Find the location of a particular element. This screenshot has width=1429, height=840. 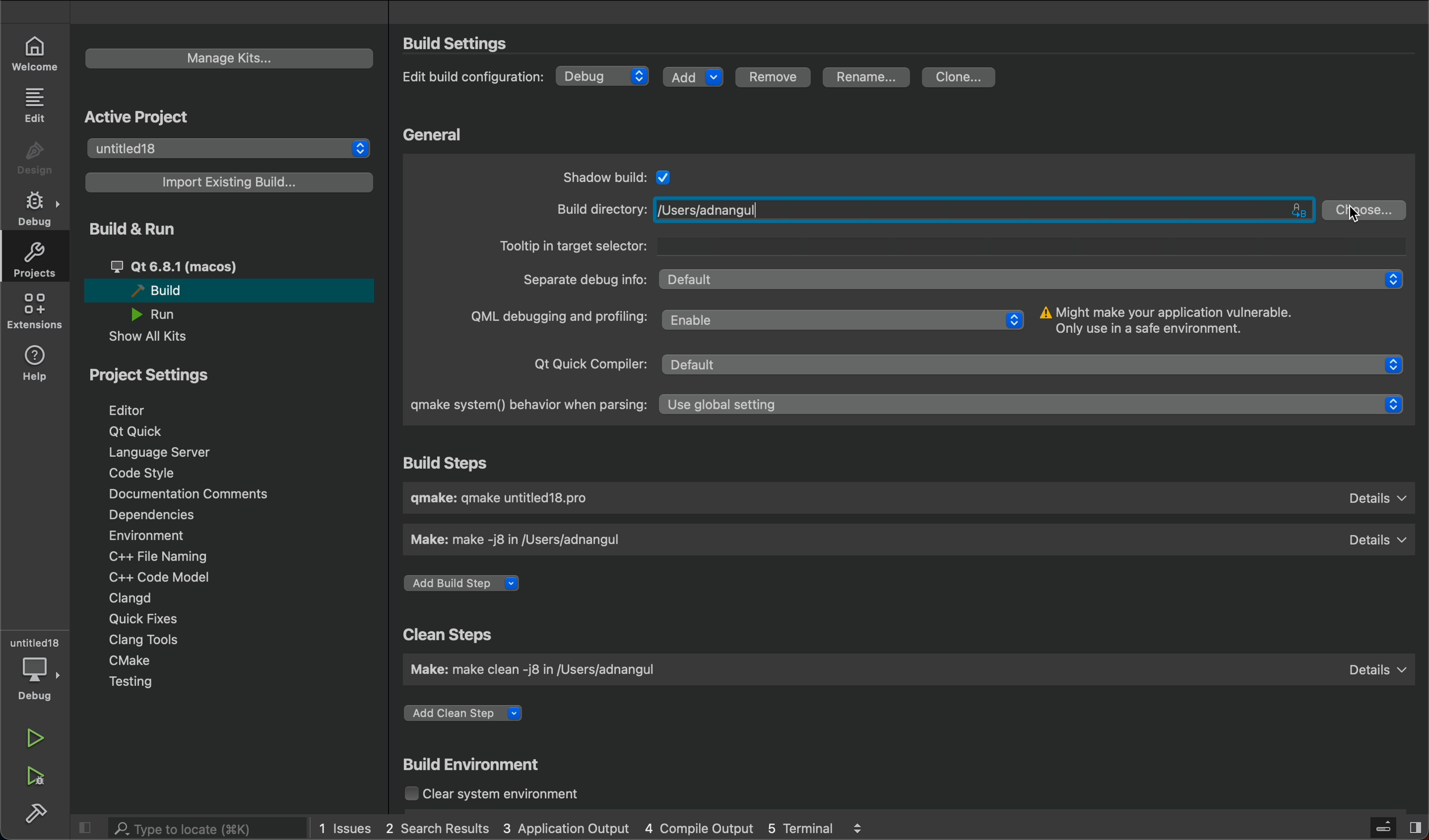

clear system environment is located at coordinates (506, 796).